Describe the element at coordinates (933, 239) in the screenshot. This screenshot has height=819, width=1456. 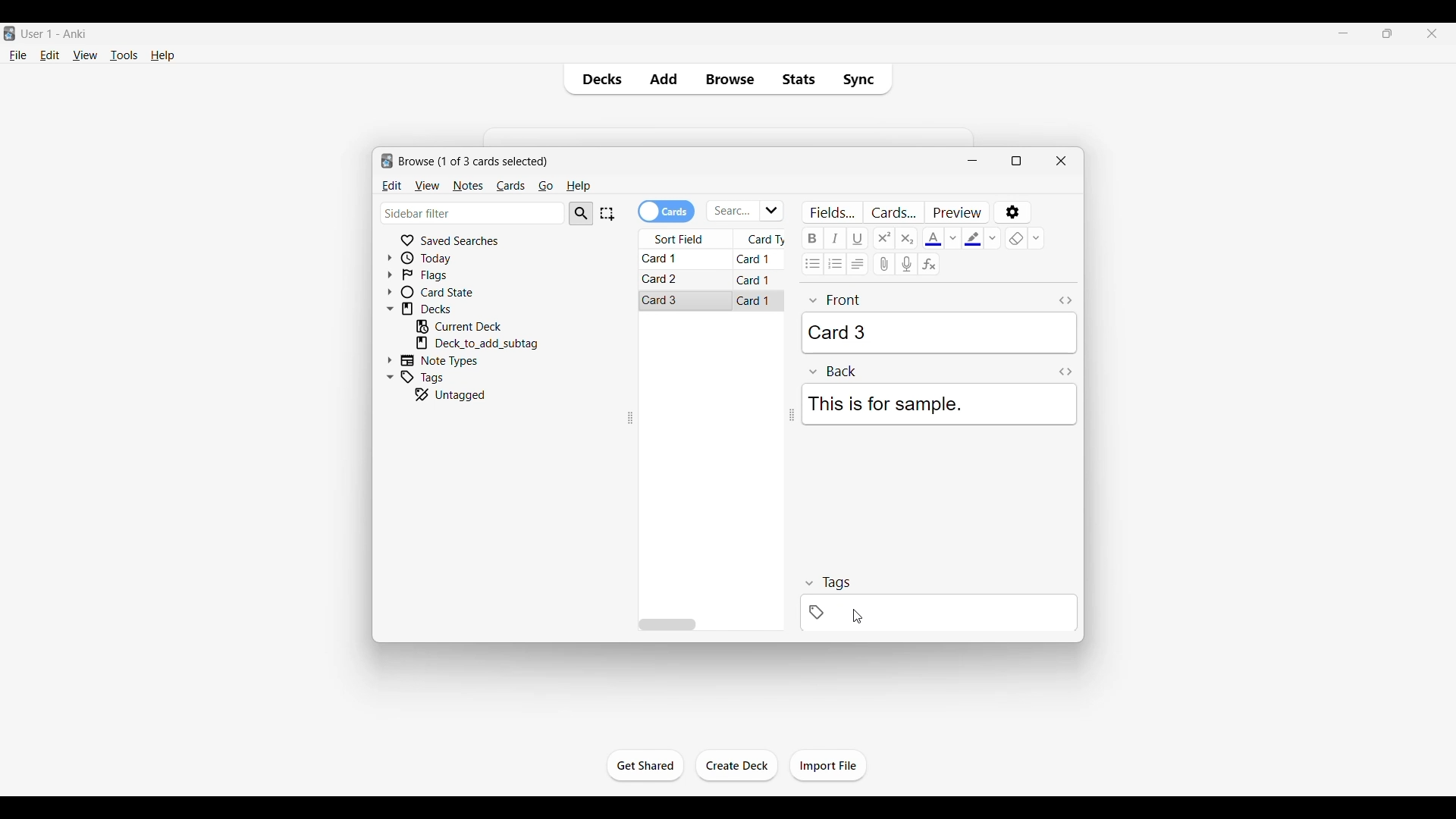
I see `Selected text color` at that location.